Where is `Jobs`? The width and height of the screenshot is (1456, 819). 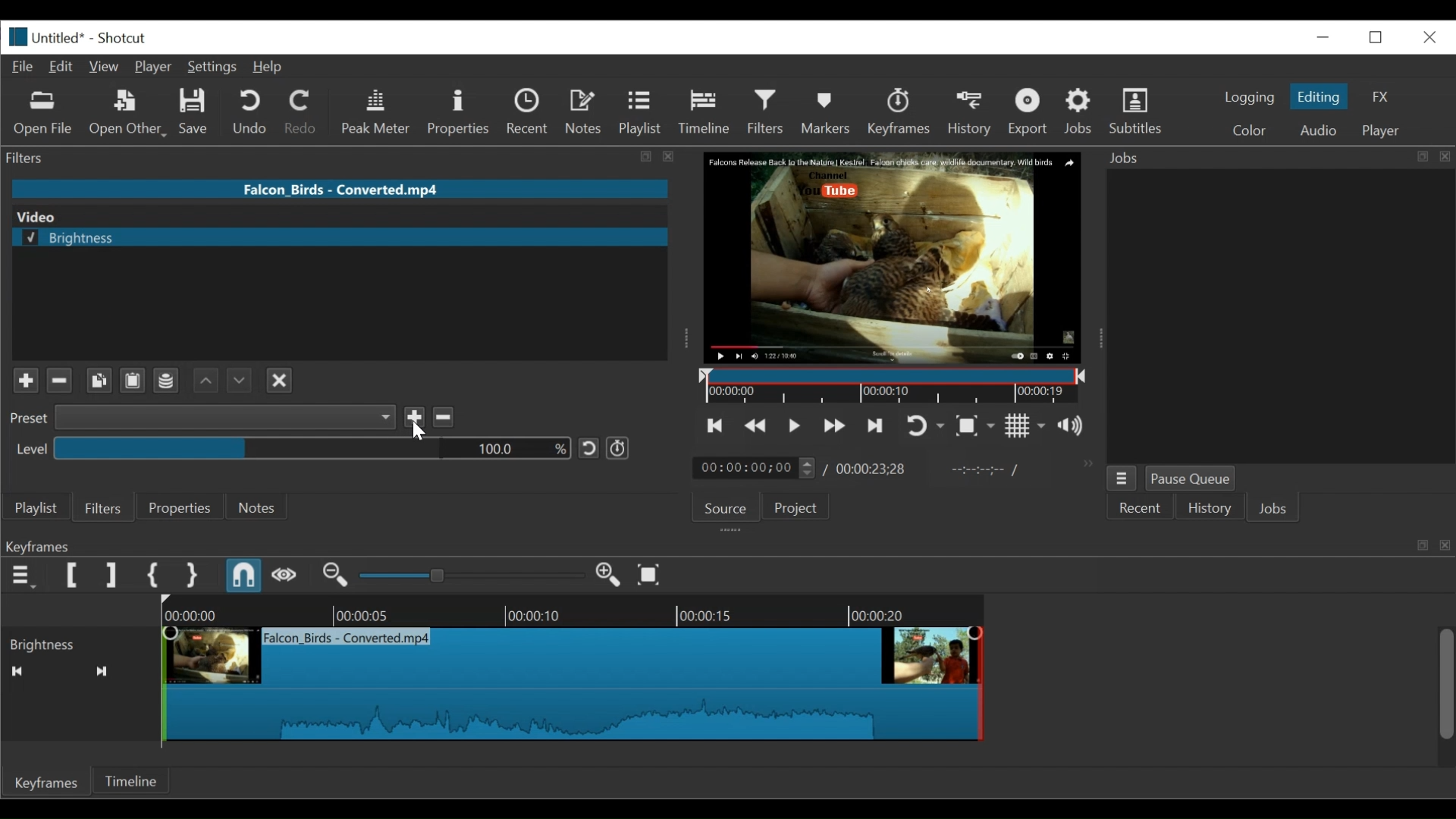 Jobs is located at coordinates (1275, 510).